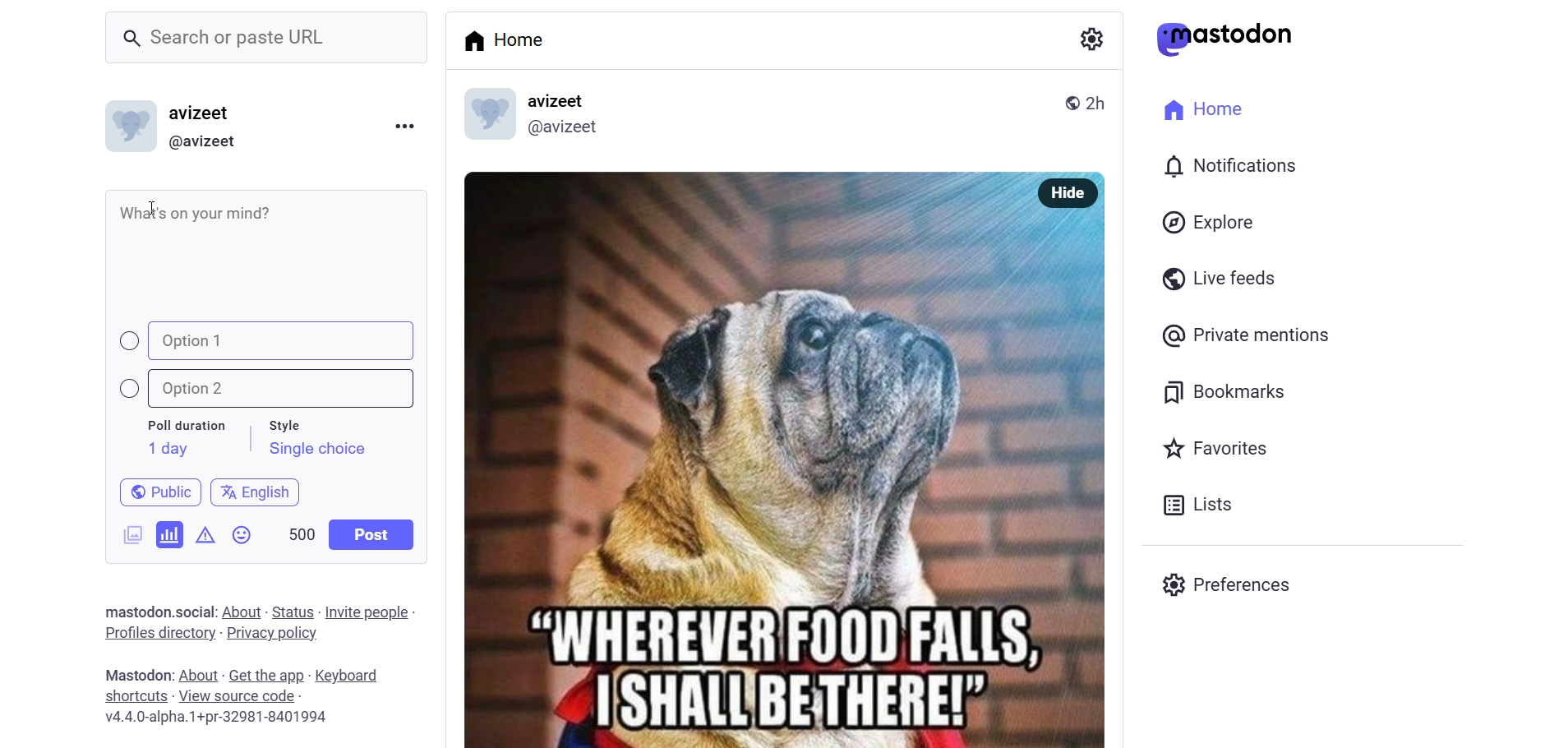 The height and width of the screenshot is (748, 1568). What do you see at coordinates (733, 451) in the screenshot?
I see `post image` at bounding box center [733, 451].